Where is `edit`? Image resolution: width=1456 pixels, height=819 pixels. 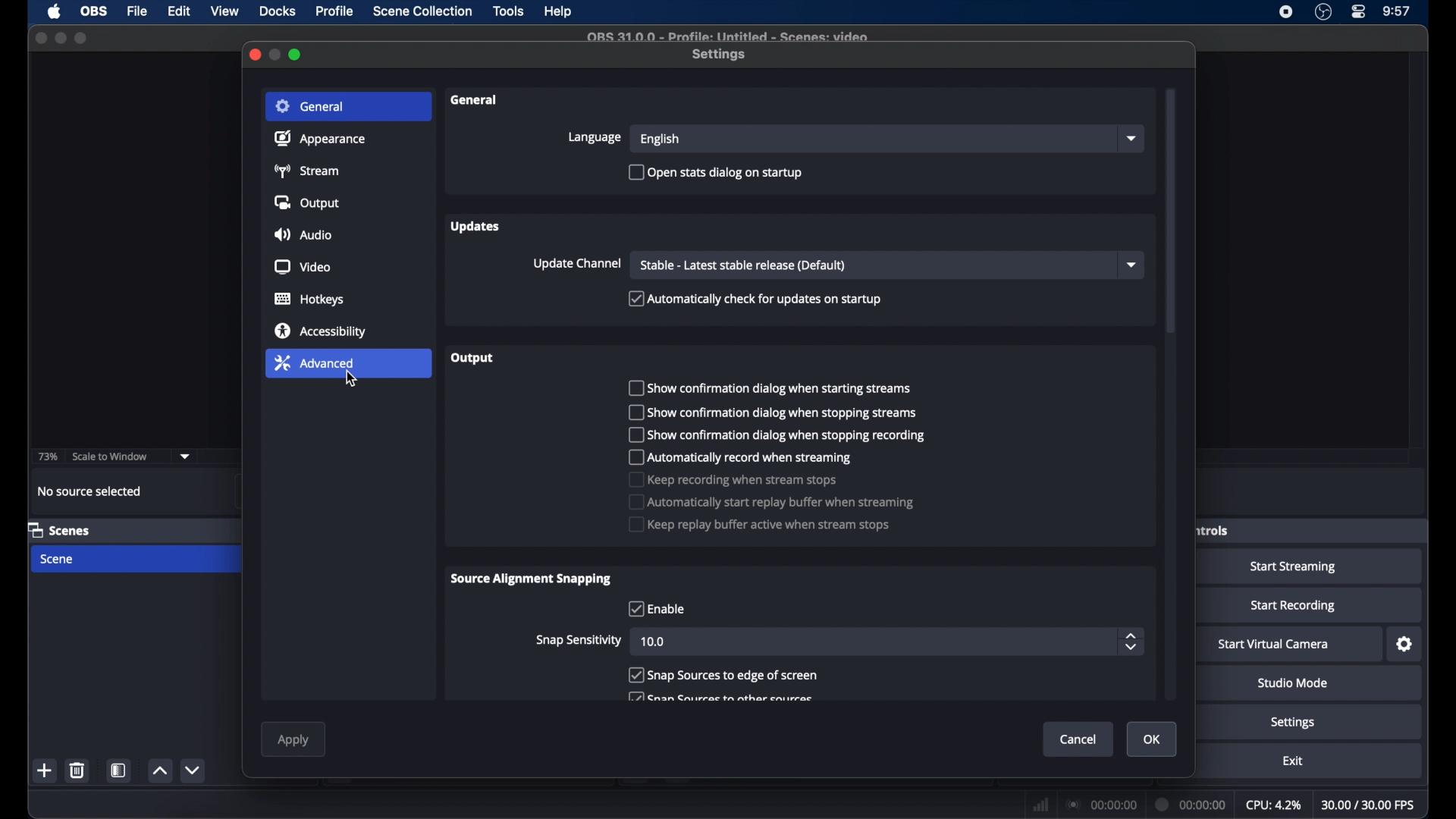 edit is located at coordinates (179, 12).